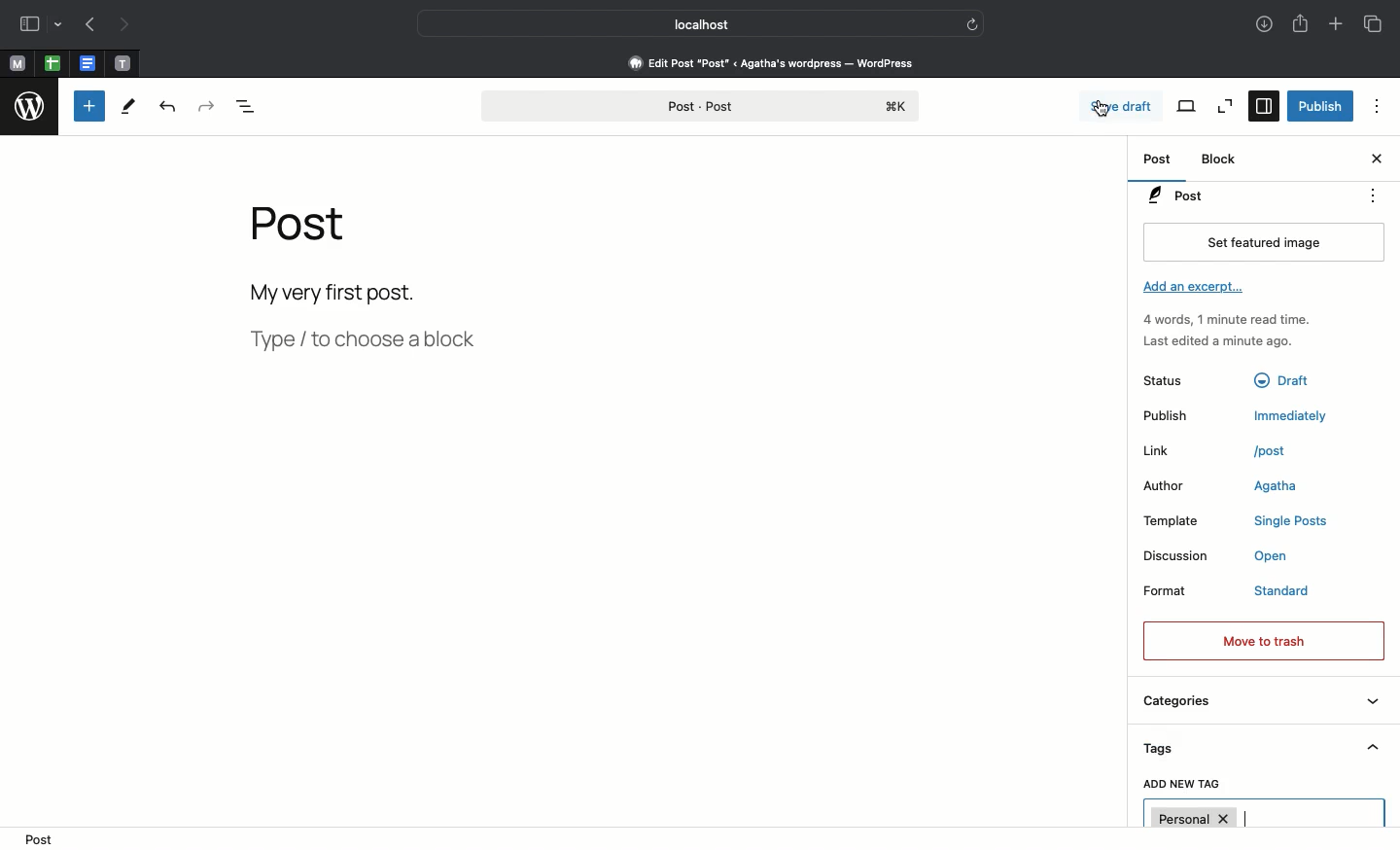 Image resolution: width=1400 pixels, height=850 pixels. Describe the element at coordinates (974, 25) in the screenshot. I see `refresh` at that location.